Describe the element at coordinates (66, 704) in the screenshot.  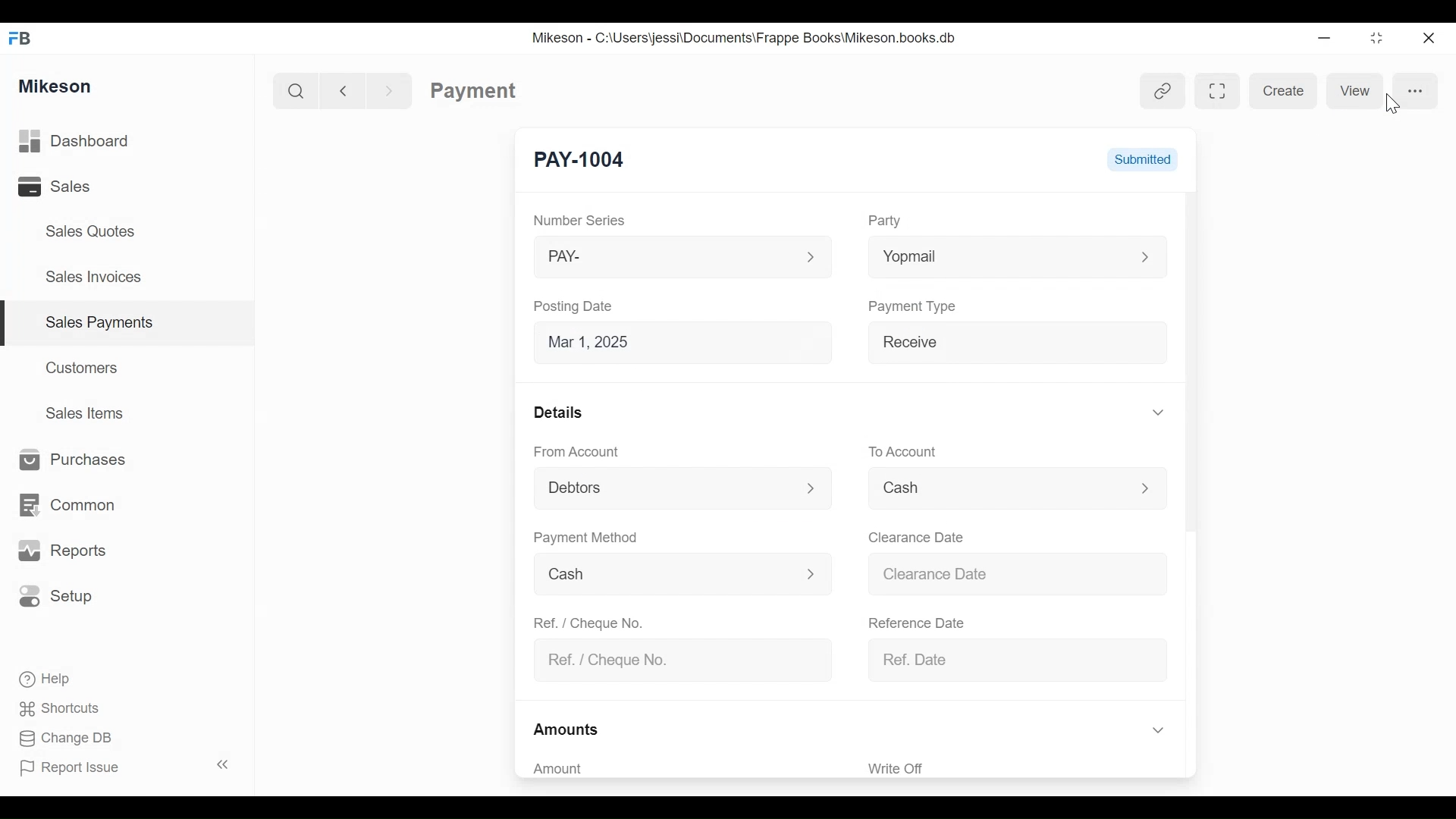
I see `Shortcuts` at that location.